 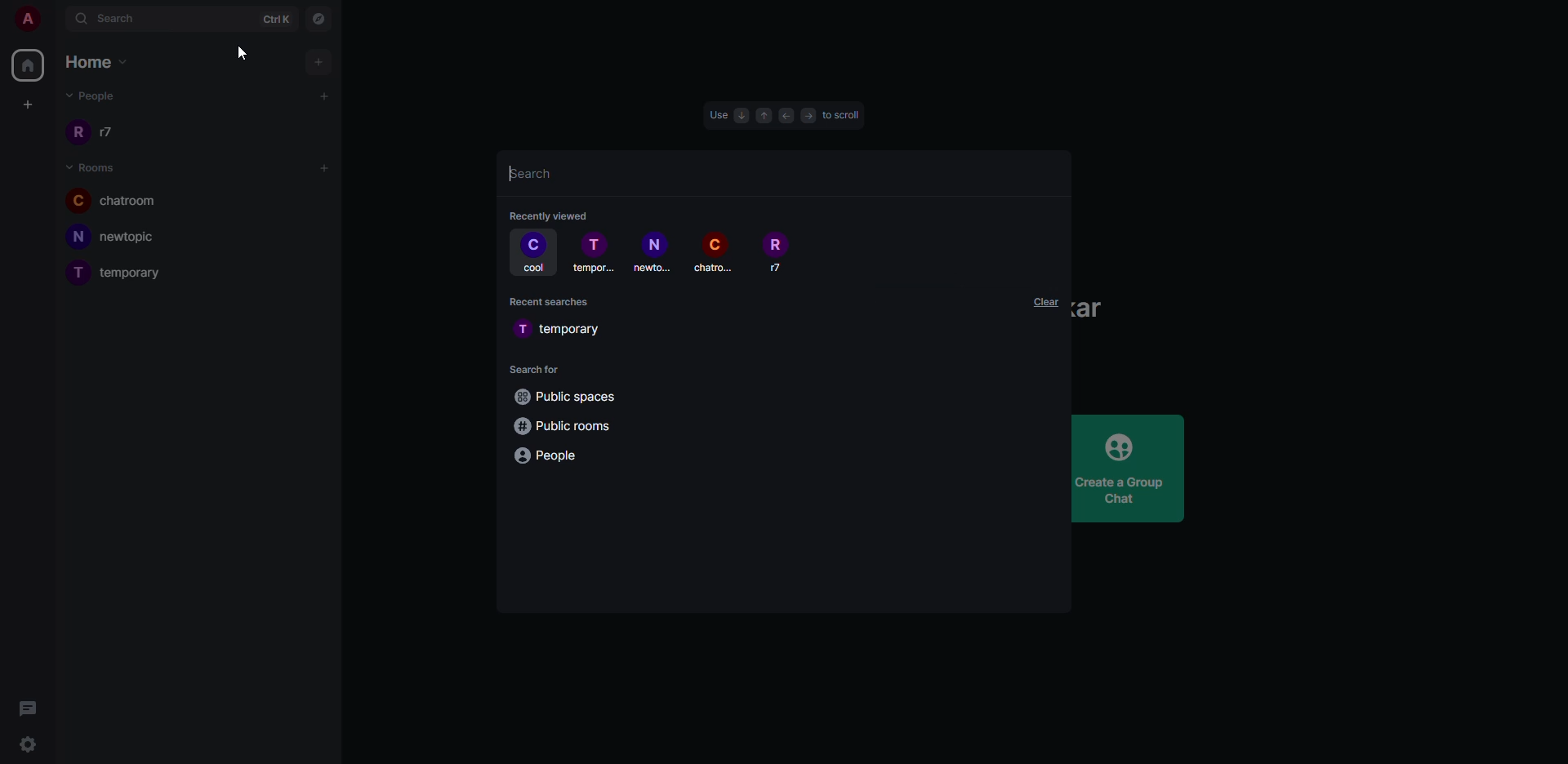 What do you see at coordinates (551, 215) in the screenshot?
I see `recently viewed` at bounding box center [551, 215].